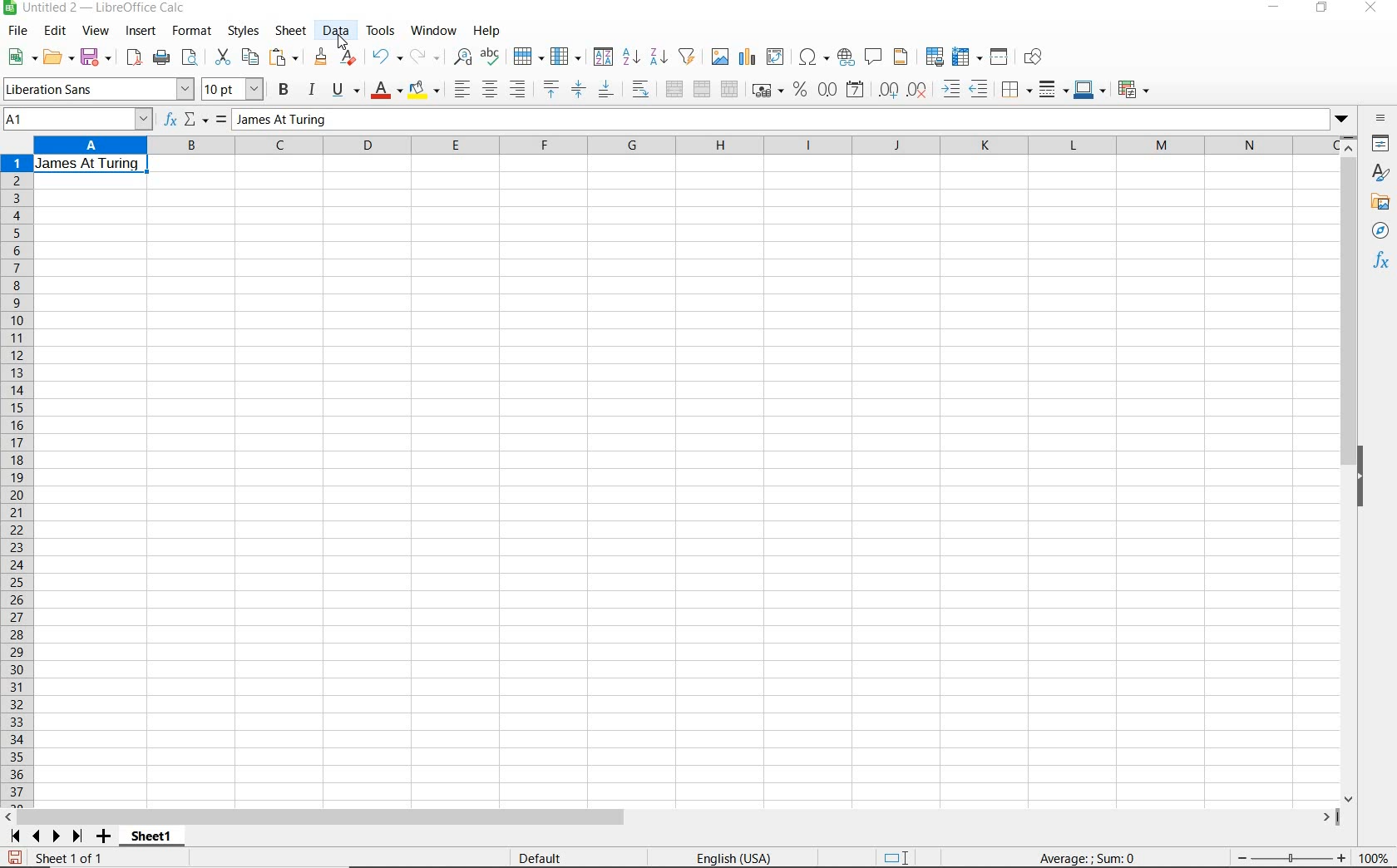 This screenshot has width=1397, height=868. What do you see at coordinates (249, 57) in the screenshot?
I see `copy` at bounding box center [249, 57].